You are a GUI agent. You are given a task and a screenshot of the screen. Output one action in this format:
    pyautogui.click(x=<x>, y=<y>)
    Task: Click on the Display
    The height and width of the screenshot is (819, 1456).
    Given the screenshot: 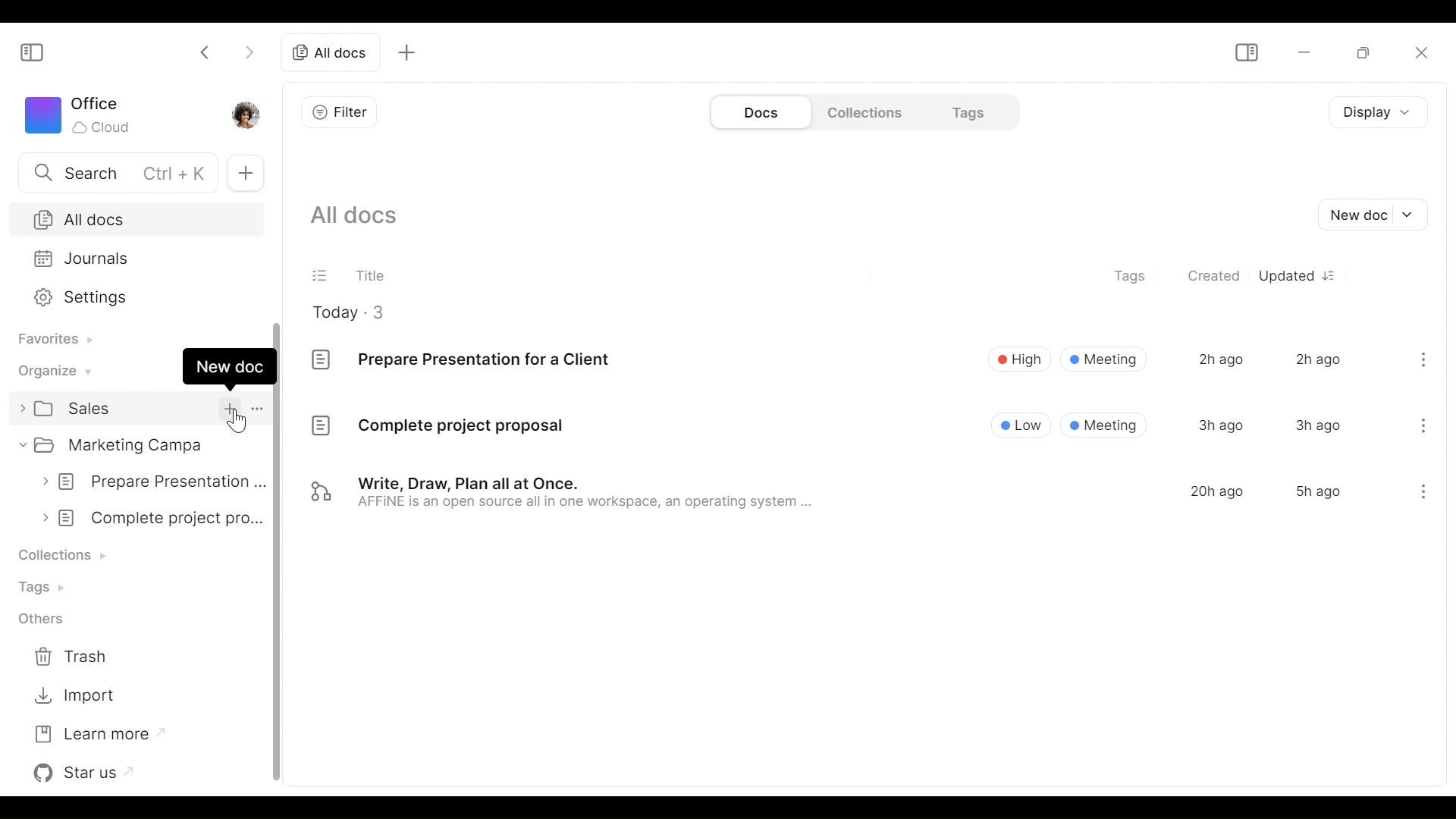 What is the action you would take?
    pyautogui.click(x=1373, y=114)
    